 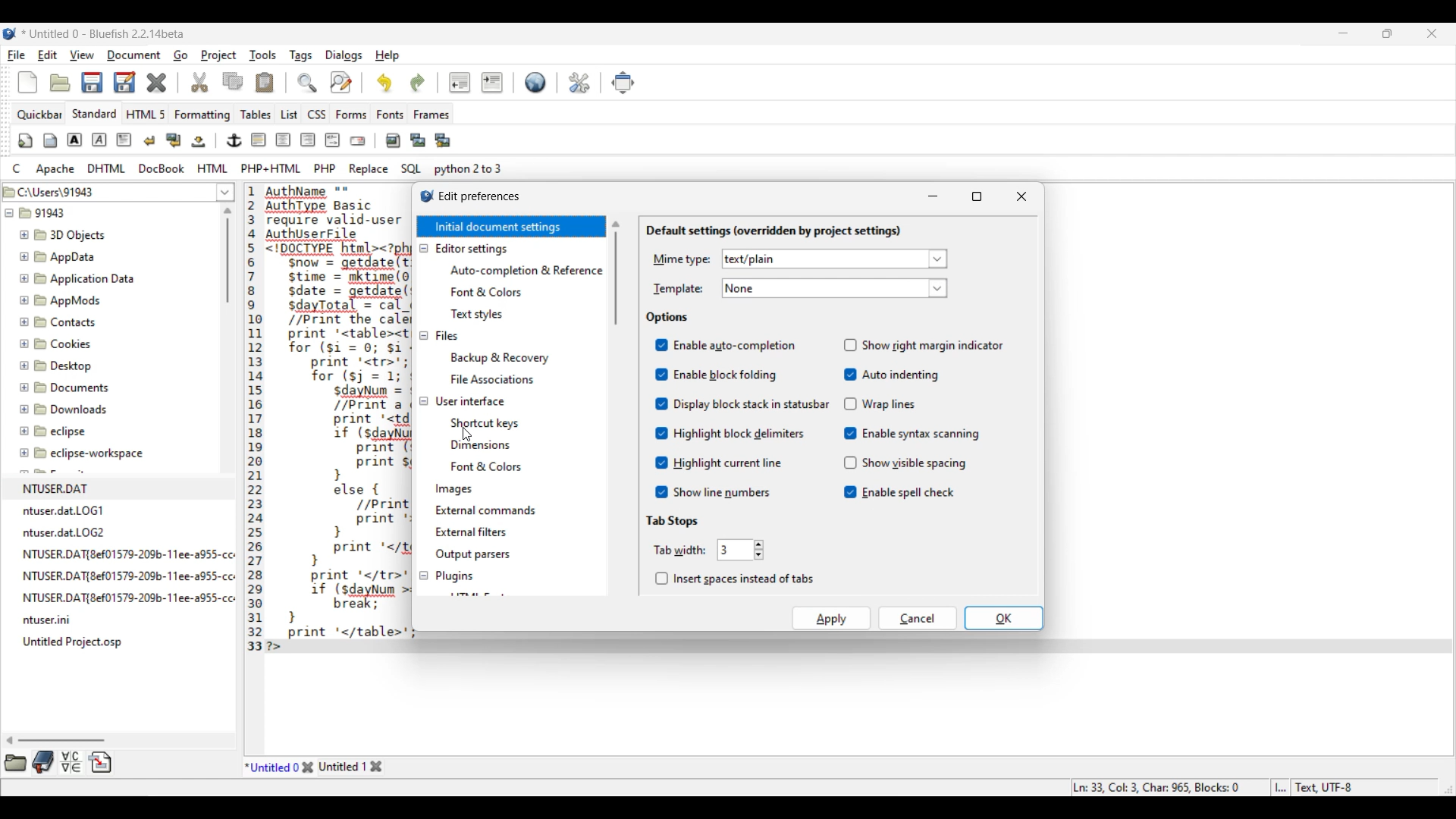 I want to click on Output parsers, so click(x=472, y=555).